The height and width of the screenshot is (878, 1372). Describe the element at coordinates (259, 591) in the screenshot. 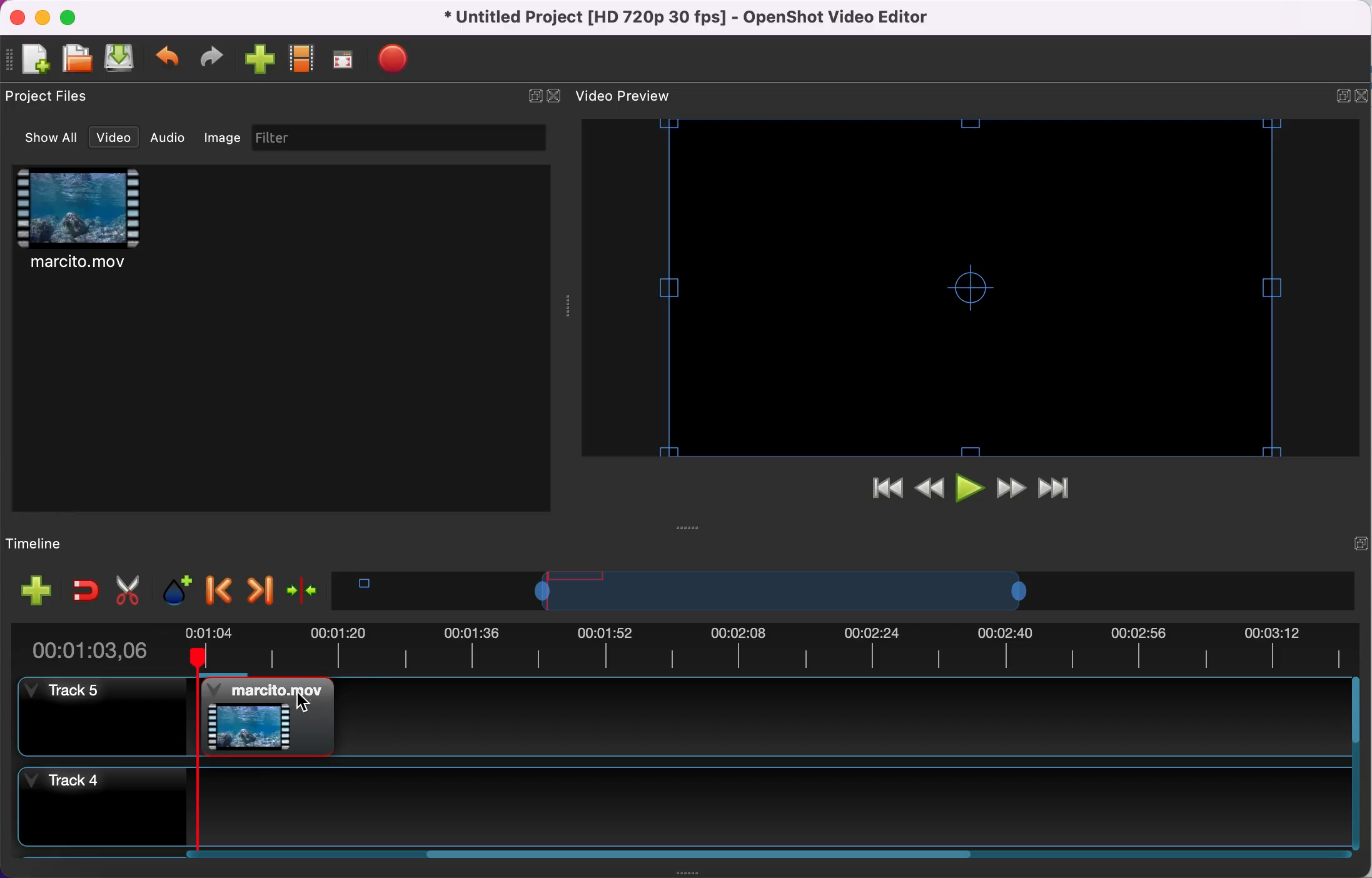

I see `next marker` at that location.